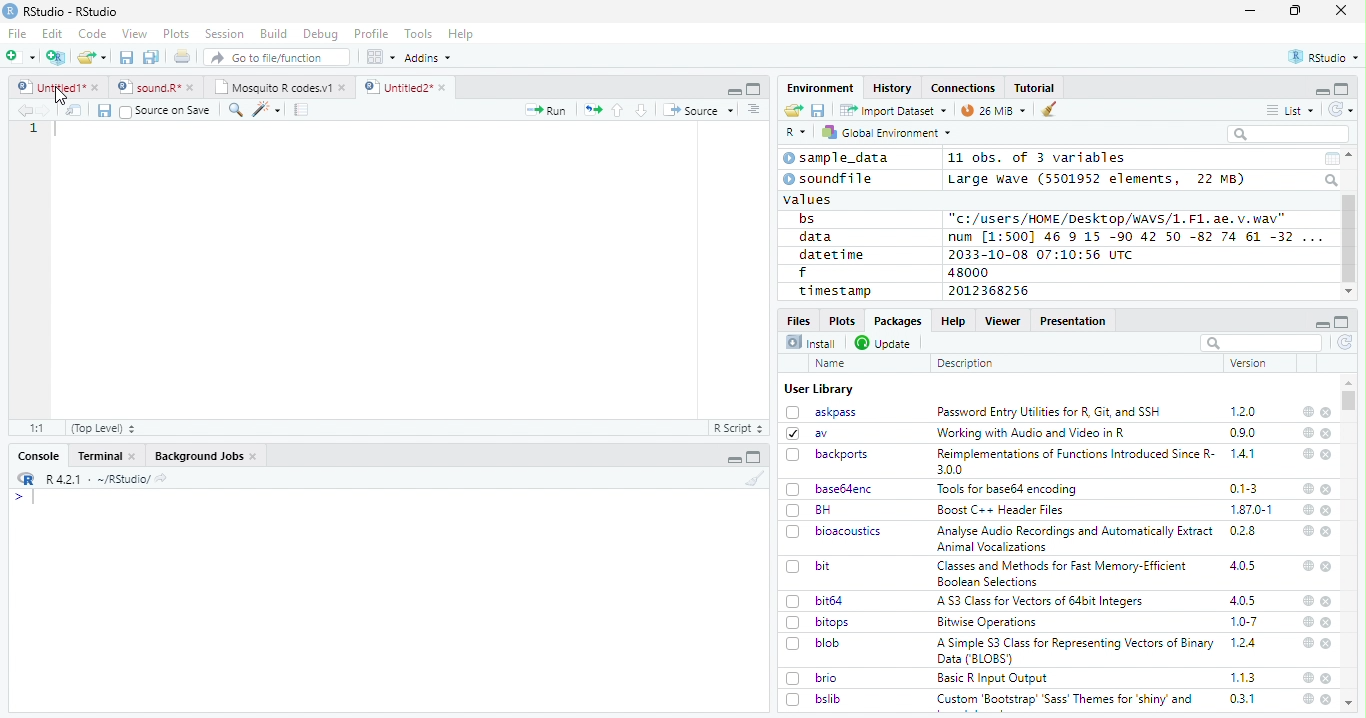 The image size is (1366, 718). I want to click on clear workspace, so click(751, 478).